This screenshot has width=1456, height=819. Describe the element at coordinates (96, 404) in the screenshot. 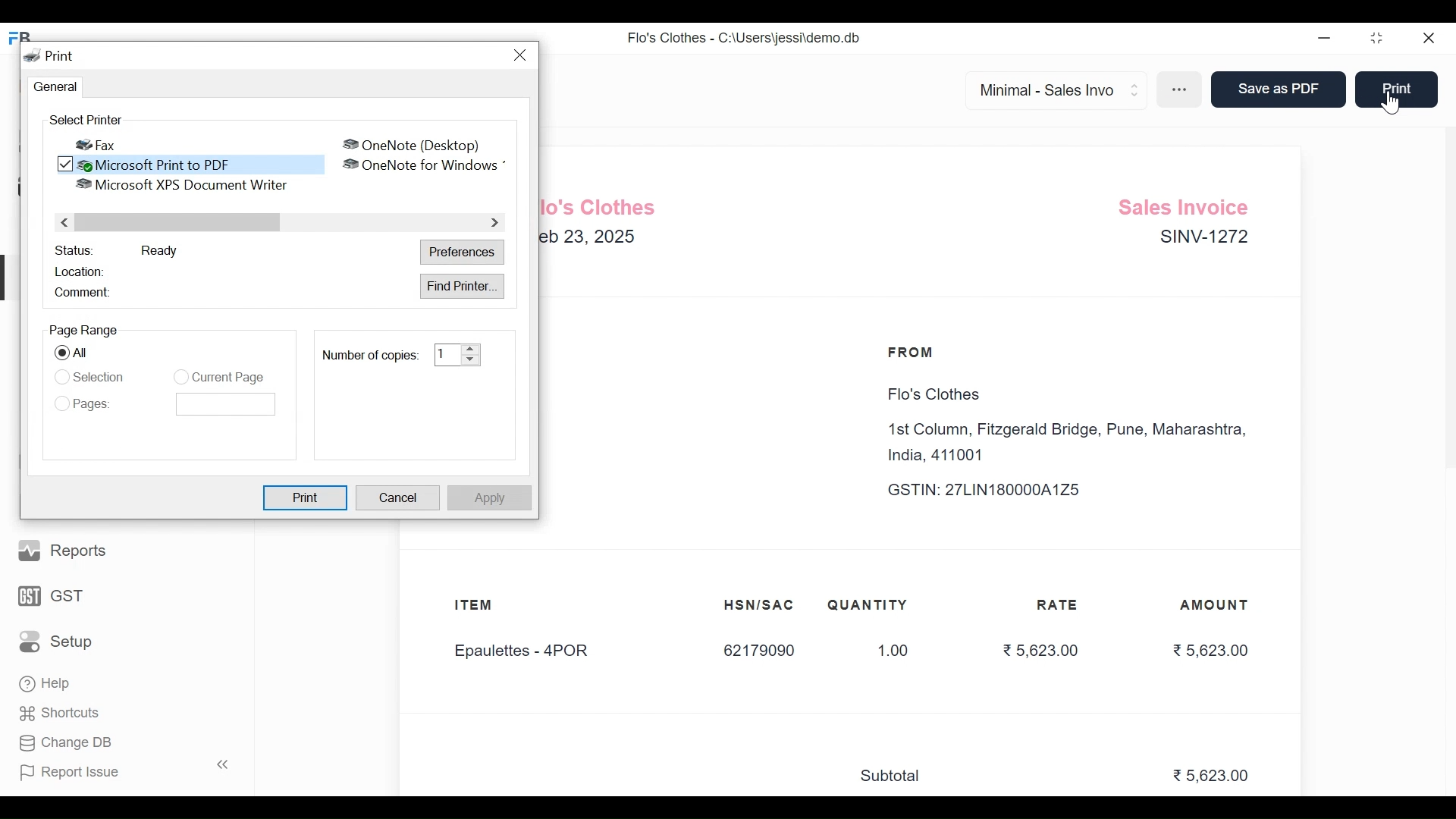

I see `Pages:` at that location.